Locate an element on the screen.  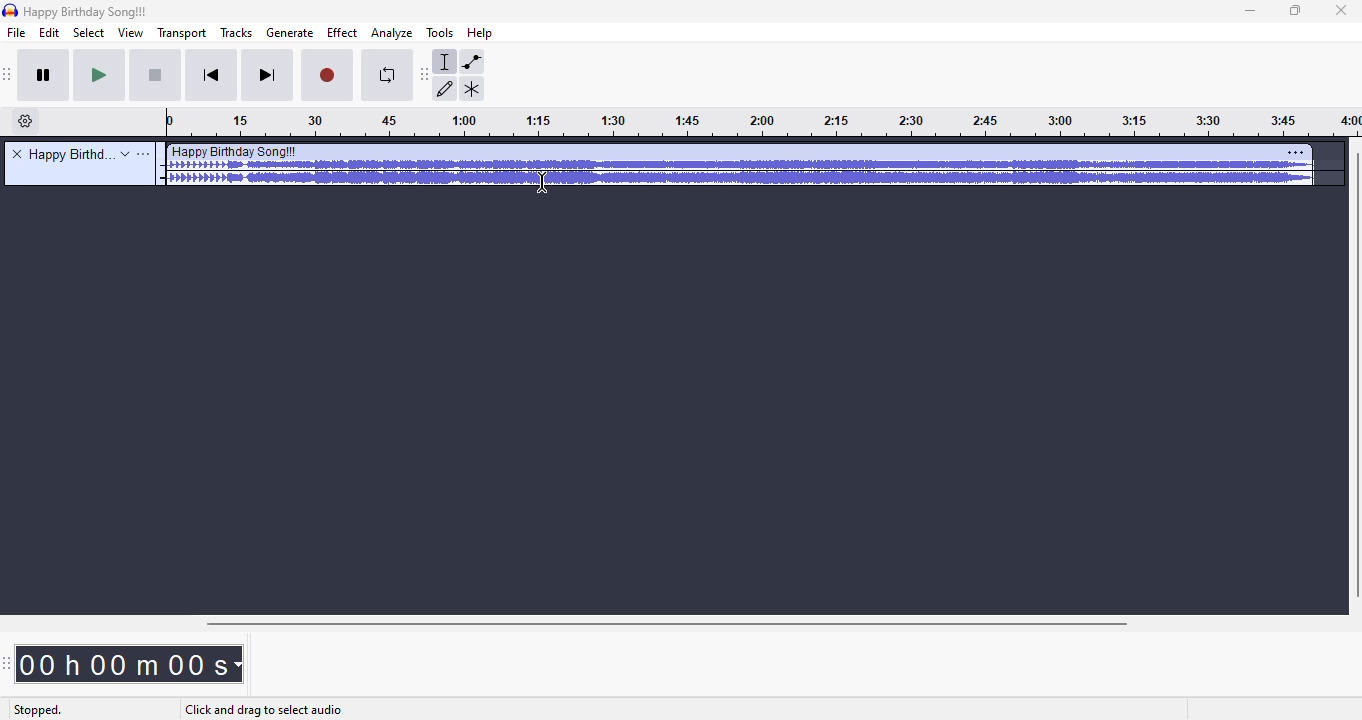
time is located at coordinates (129, 664).